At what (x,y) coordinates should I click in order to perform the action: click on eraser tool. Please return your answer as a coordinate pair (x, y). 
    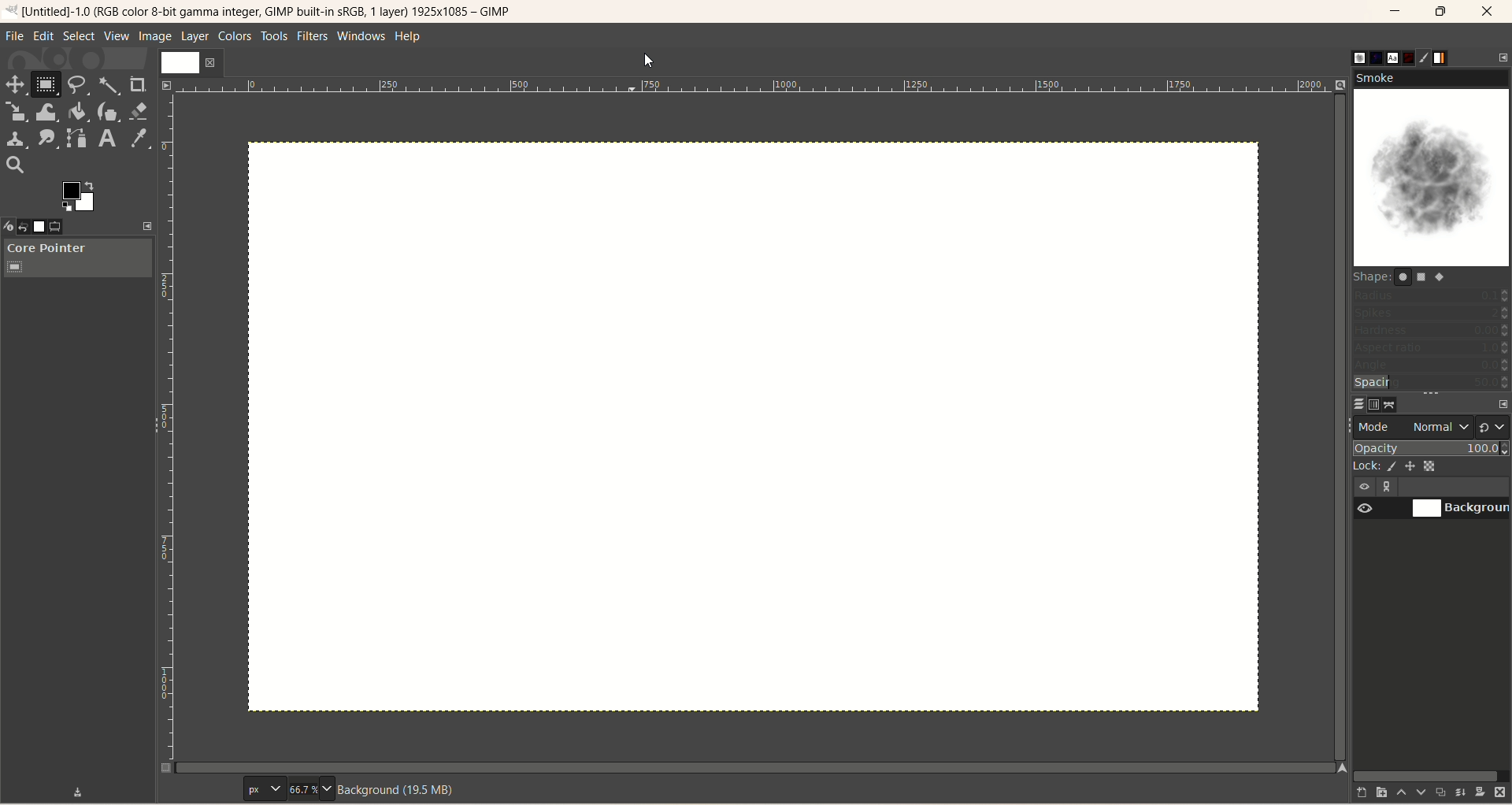
    Looking at the image, I should click on (139, 110).